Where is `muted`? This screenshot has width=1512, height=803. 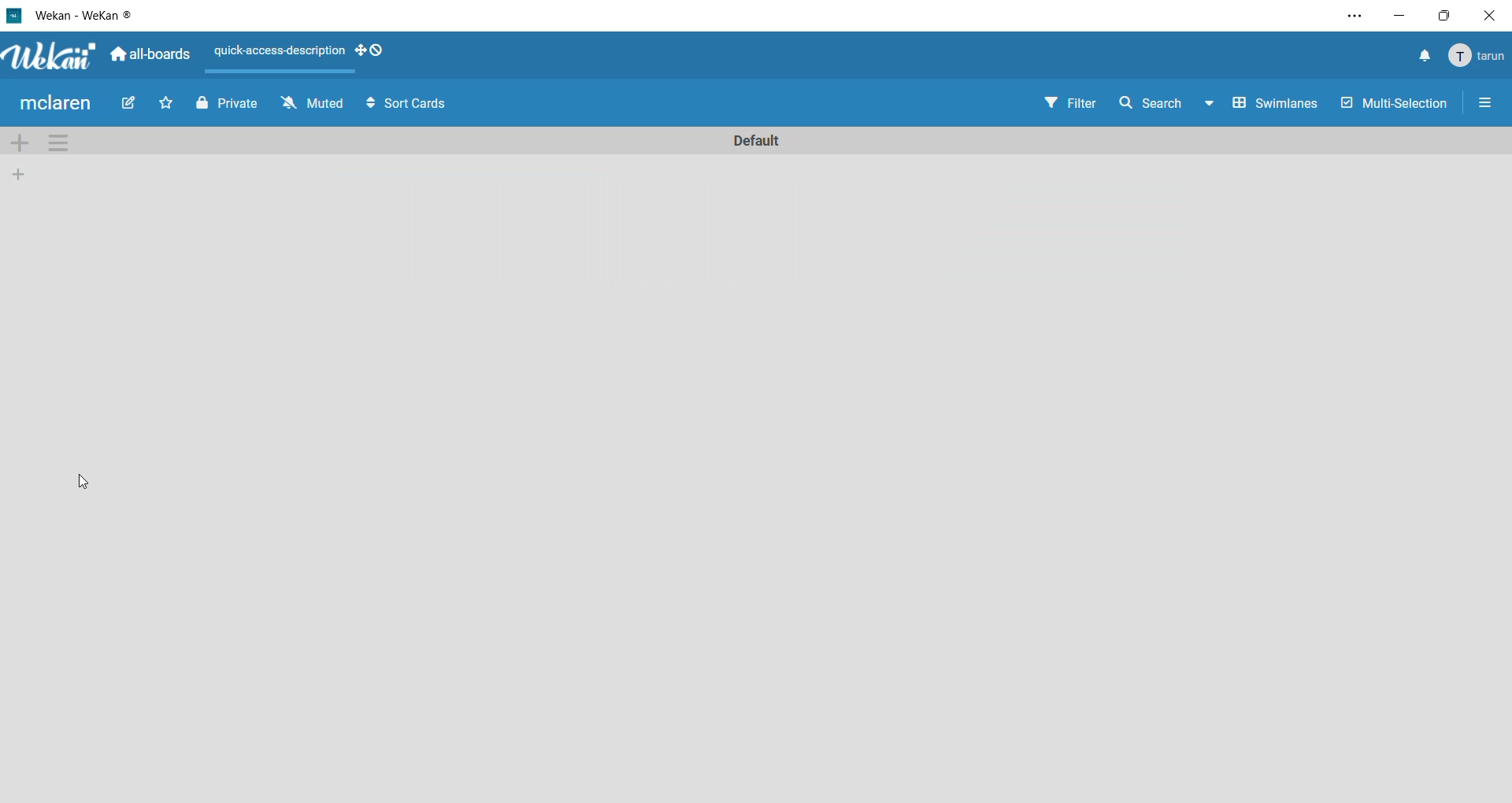 muted is located at coordinates (311, 105).